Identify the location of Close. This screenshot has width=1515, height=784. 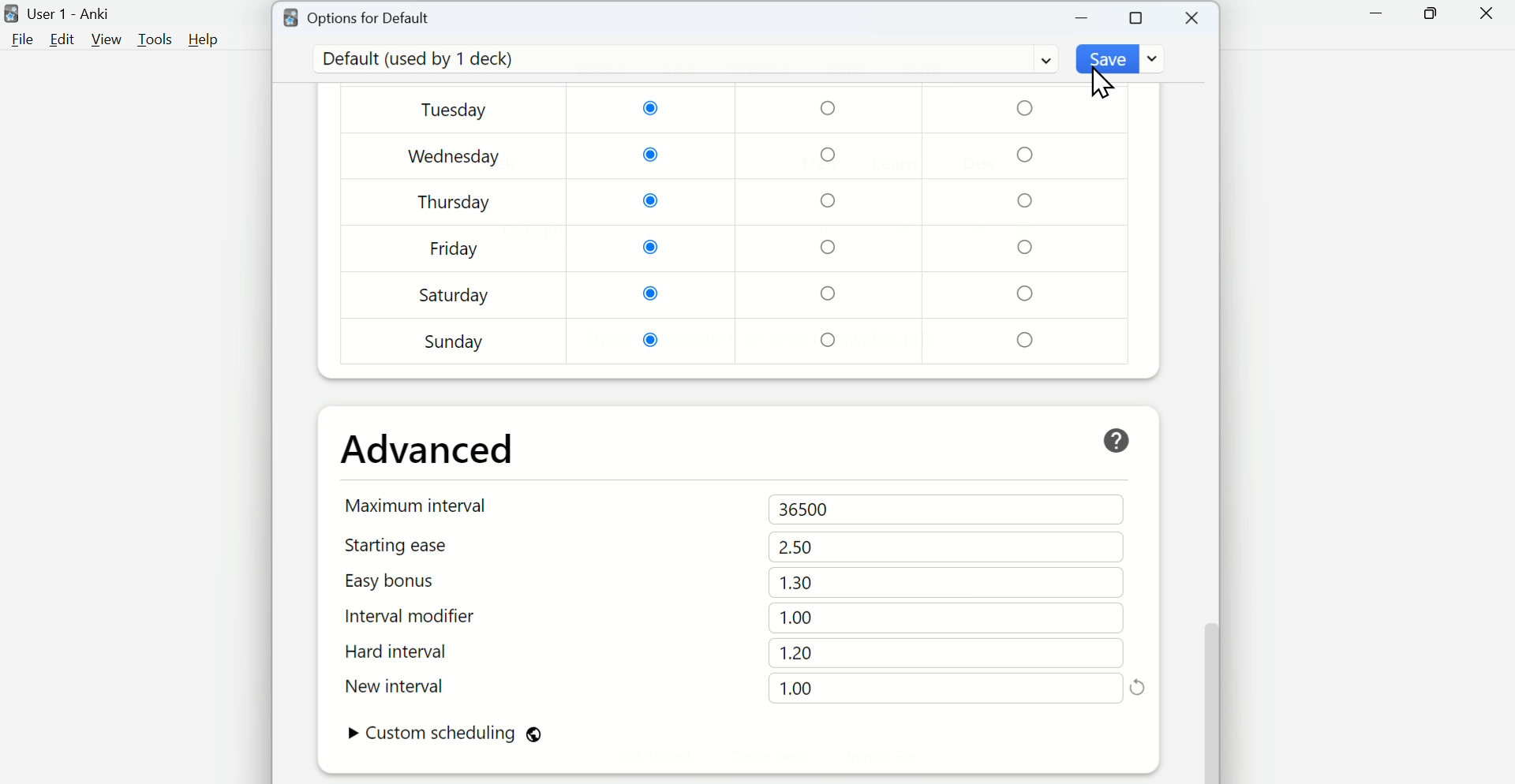
(1194, 18).